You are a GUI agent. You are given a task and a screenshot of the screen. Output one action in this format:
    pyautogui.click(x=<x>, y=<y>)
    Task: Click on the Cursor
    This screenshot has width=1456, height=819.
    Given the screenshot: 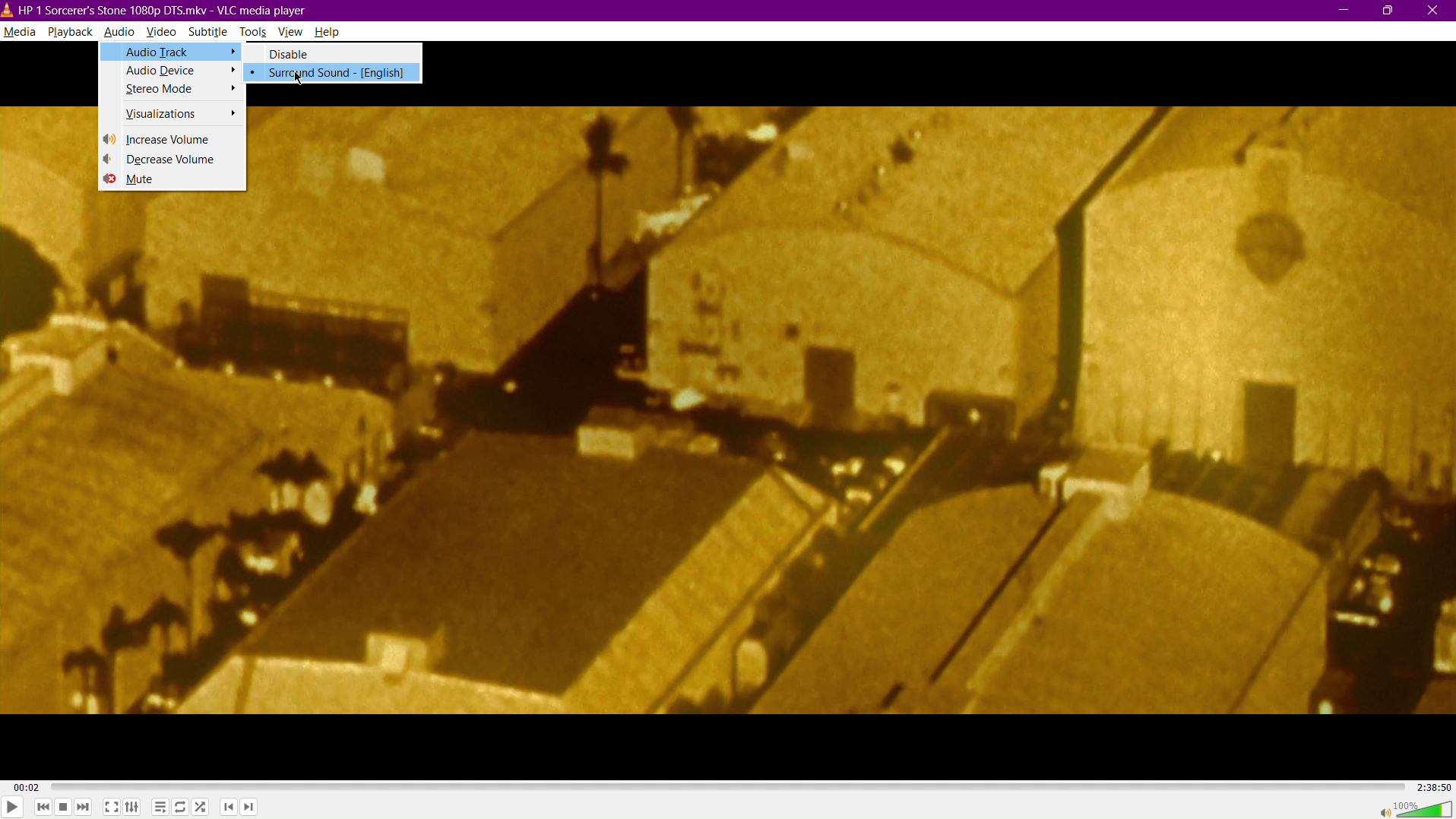 What is the action you would take?
    pyautogui.click(x=296, y=77)
    